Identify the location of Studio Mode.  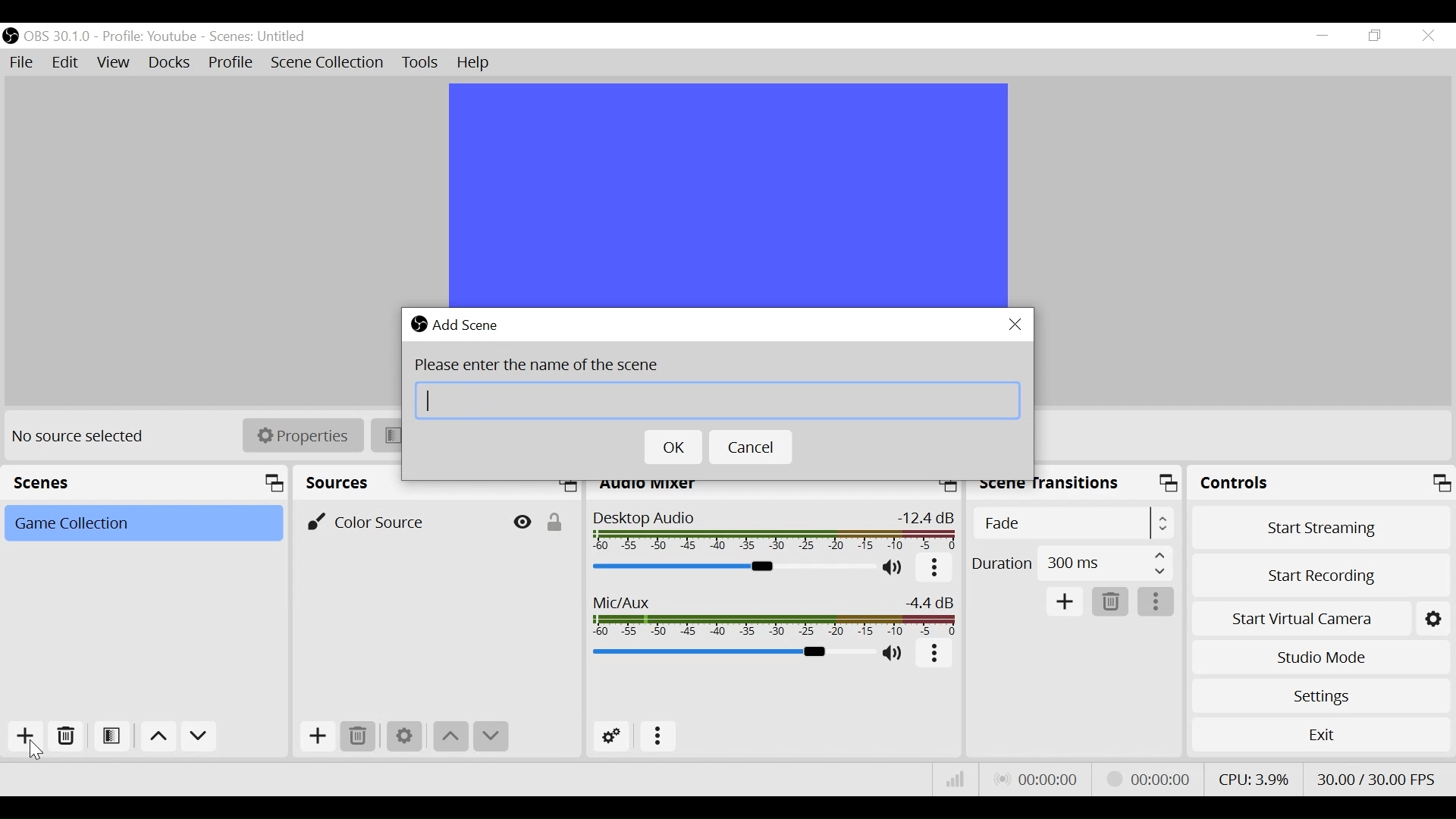
(1321, 657).